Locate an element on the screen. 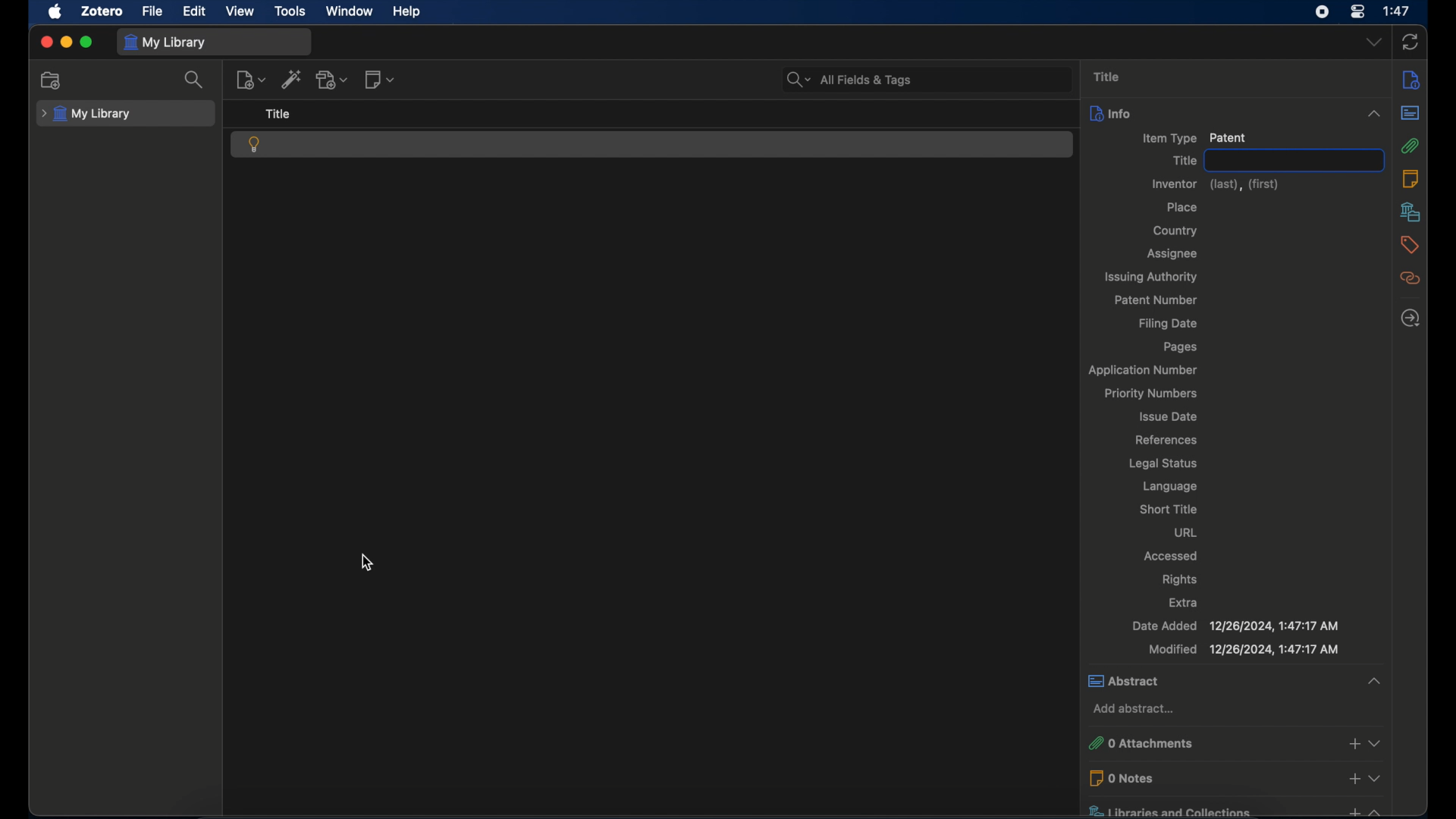  add abstract is located at coordinates (1136, 709).